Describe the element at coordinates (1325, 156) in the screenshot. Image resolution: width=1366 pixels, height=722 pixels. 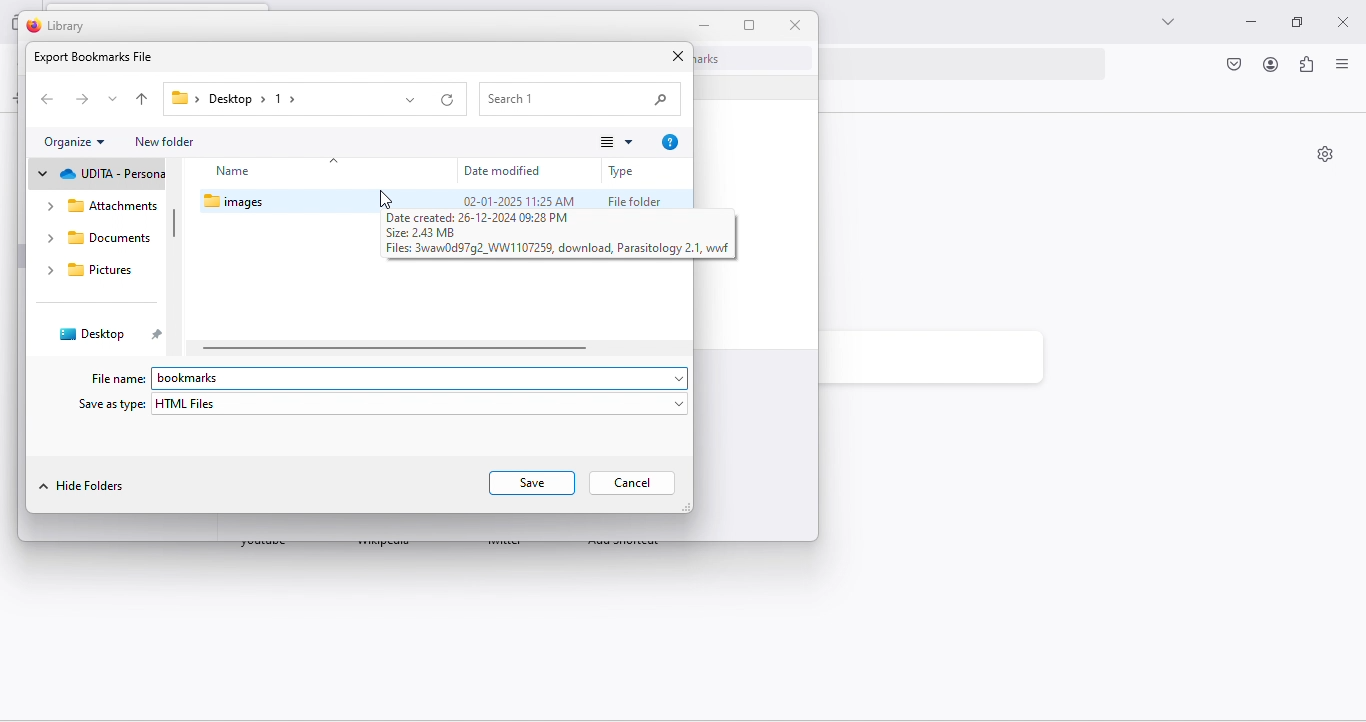
I see `settings` at that location.